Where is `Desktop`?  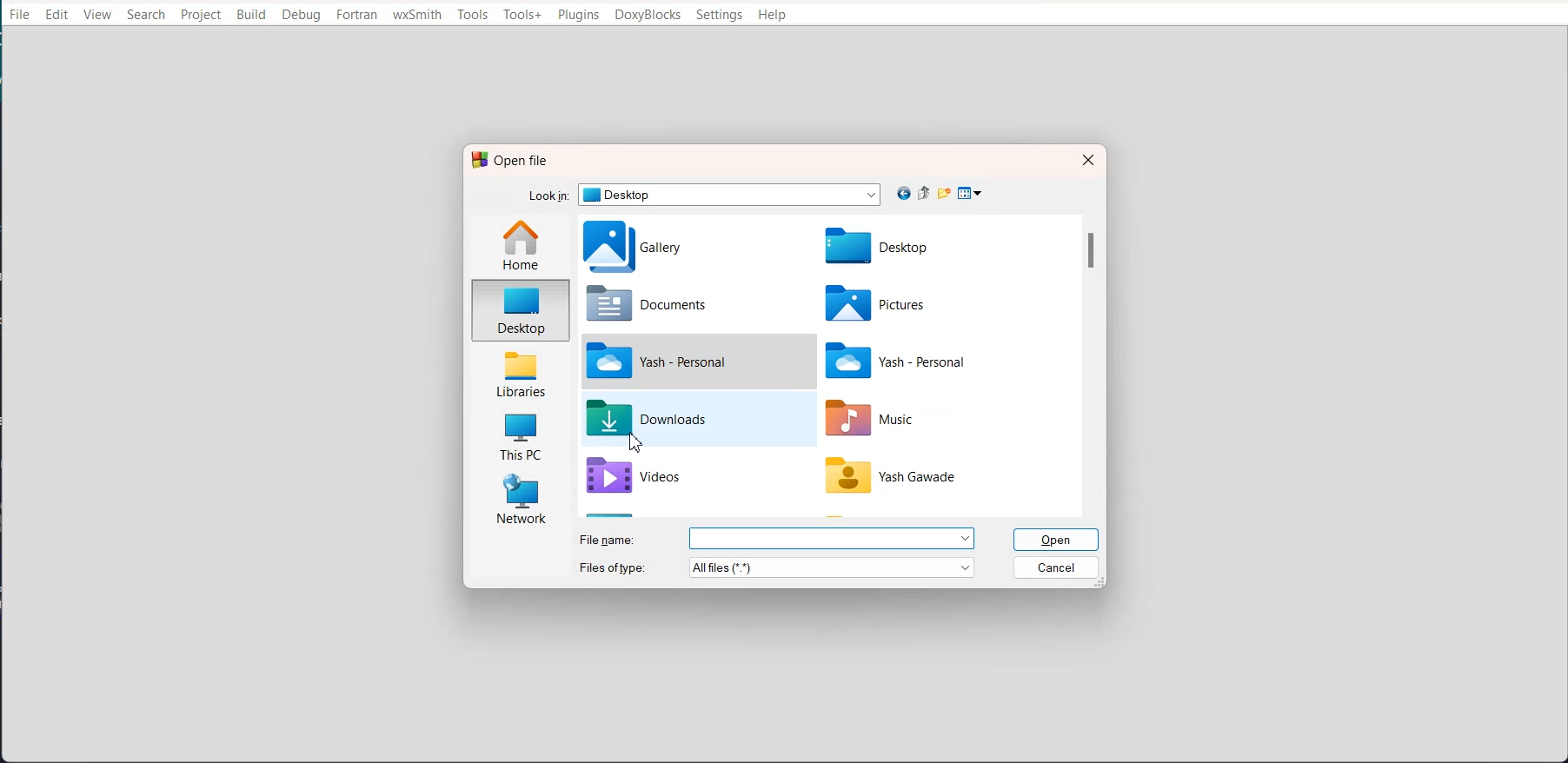 Desktop is located at coordinates (911, 248).